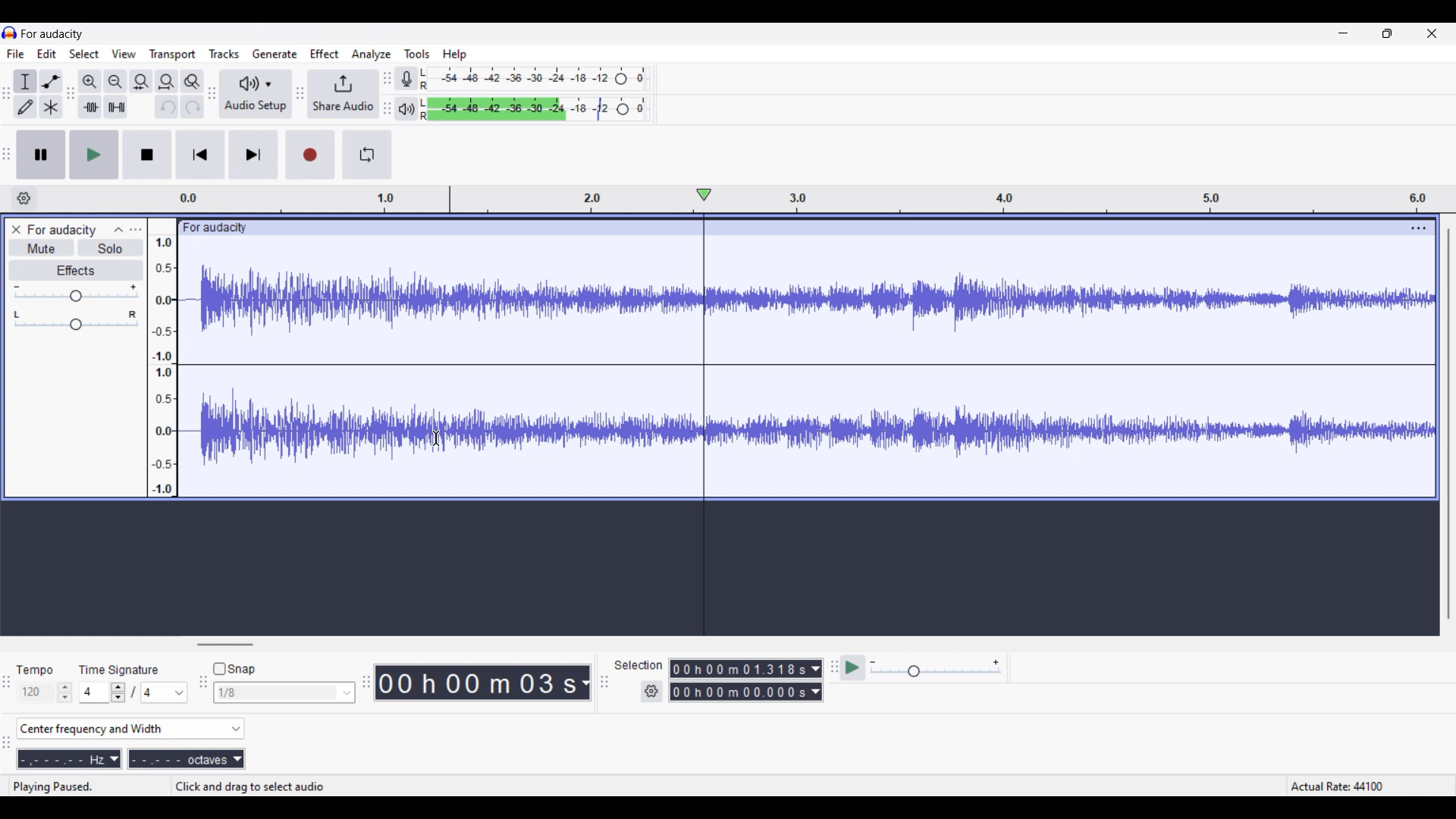  Describe the element at coordinates (133, 692) in the screenshot. I see `Time signature settings` at that location.